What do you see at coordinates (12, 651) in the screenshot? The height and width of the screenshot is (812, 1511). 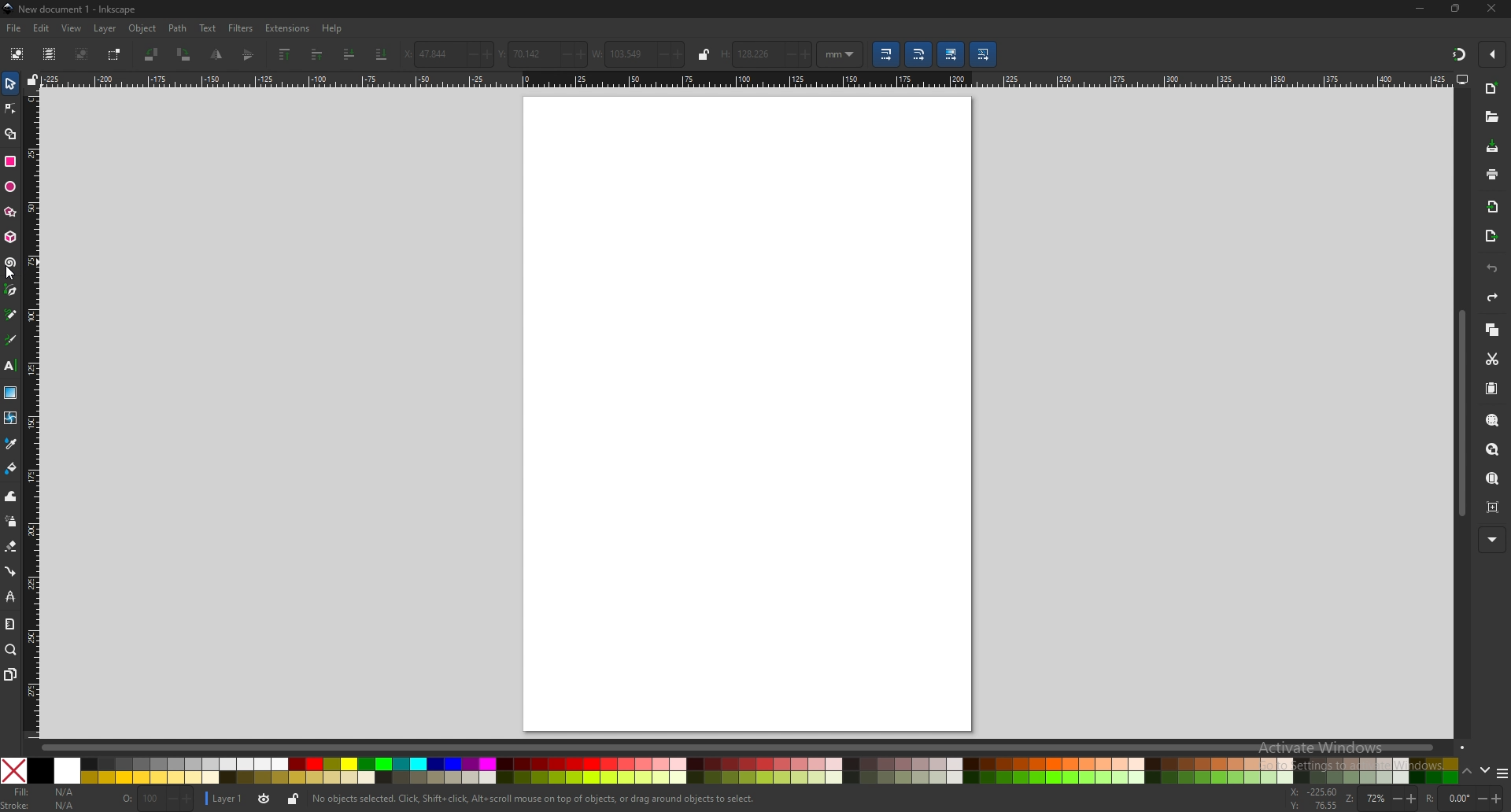 I see `zoom` at bounding box center [12, 651].